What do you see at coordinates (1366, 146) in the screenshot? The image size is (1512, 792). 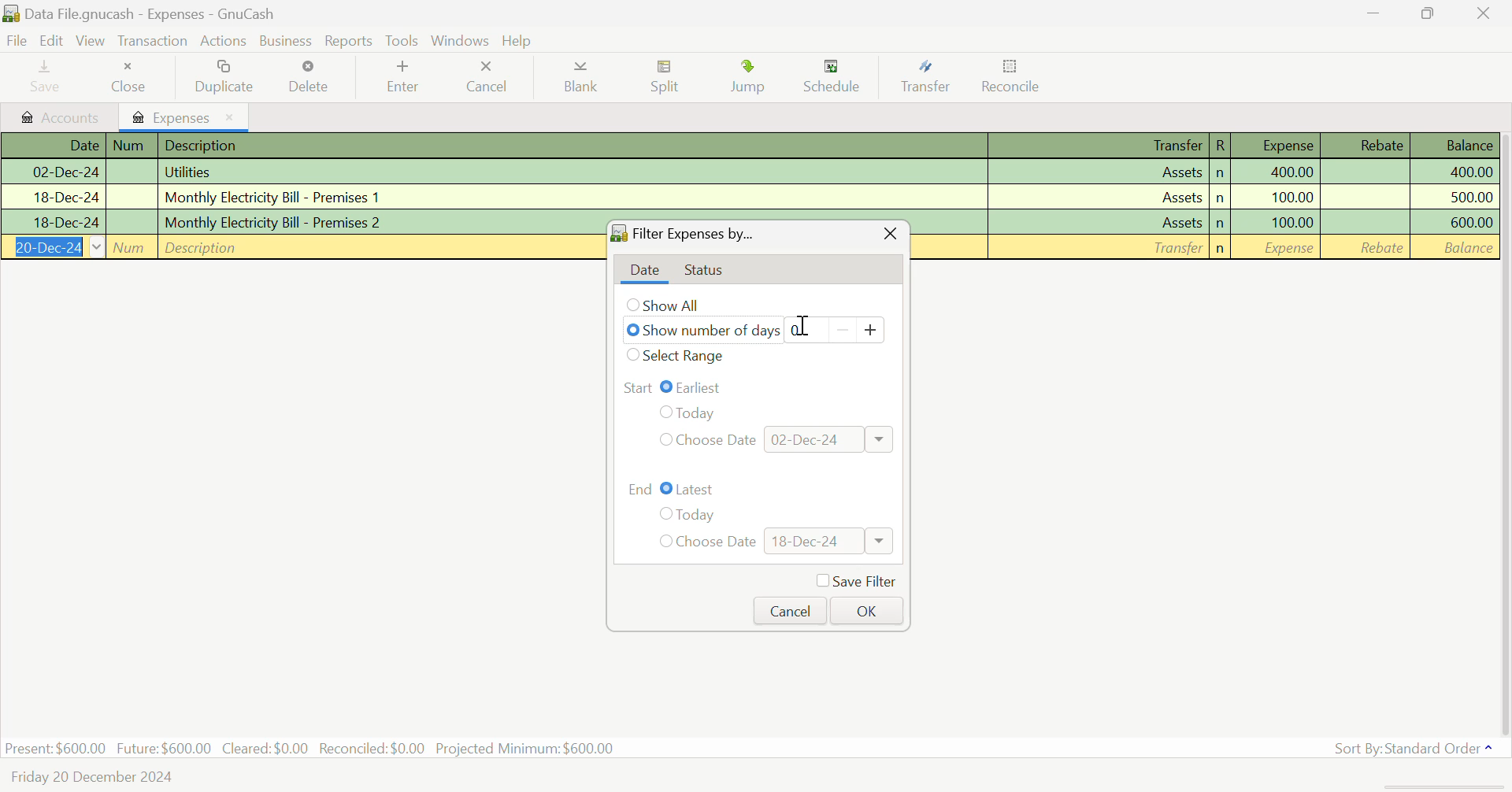 I see `Rebate` at bounding box center [1366, 146].